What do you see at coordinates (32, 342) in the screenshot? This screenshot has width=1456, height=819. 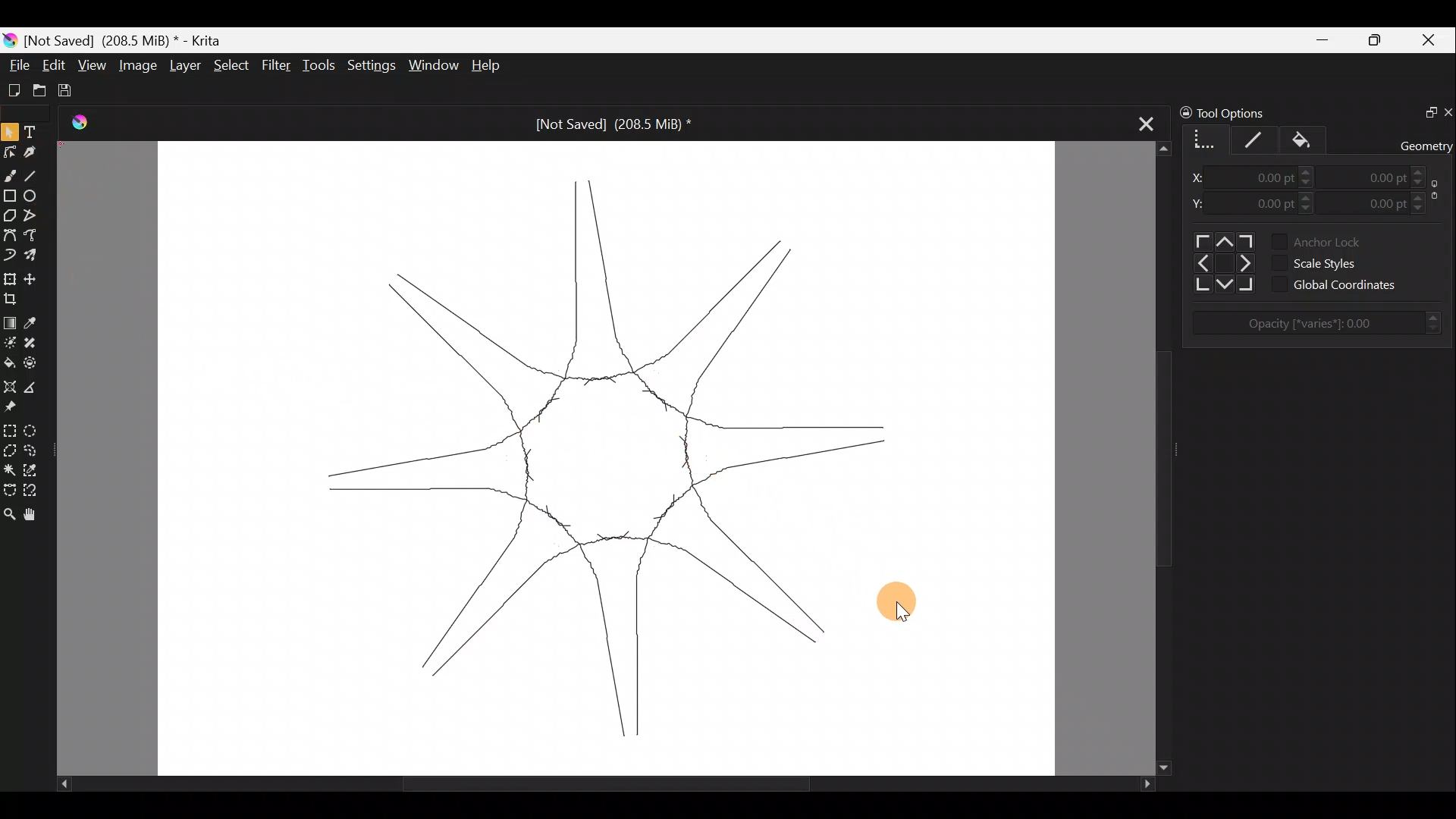 I see `Smart patch tool` at bounding box center [32, 342].